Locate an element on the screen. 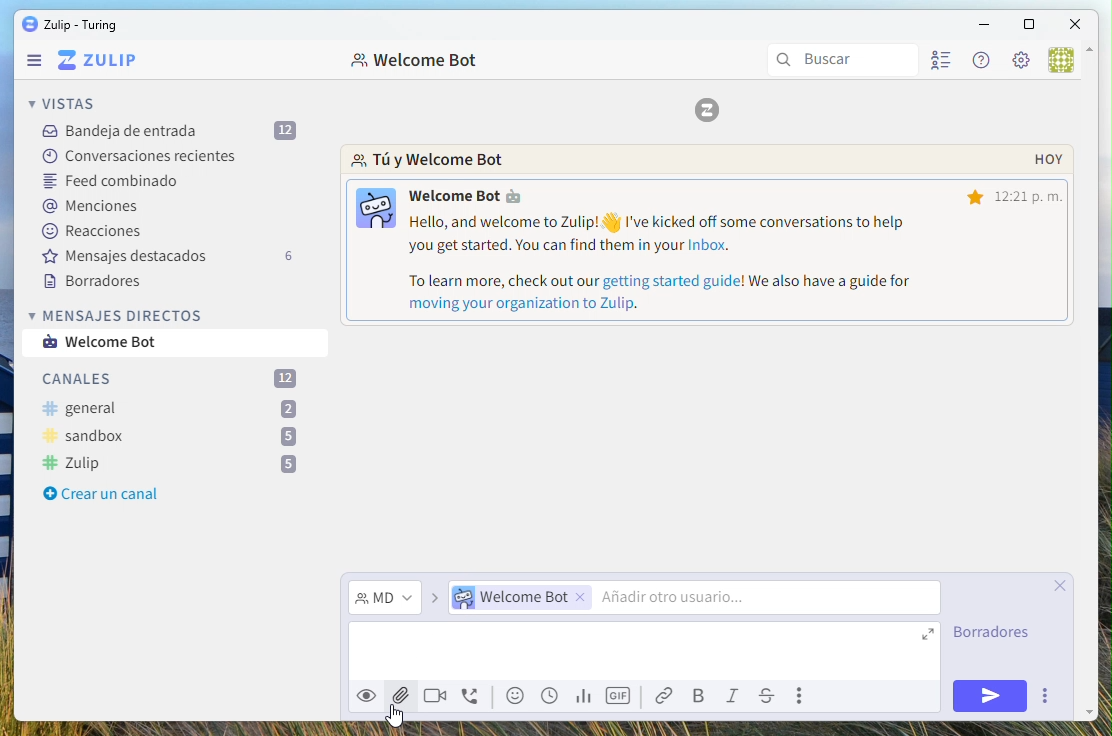 The image size is (1112, 736). close is located at coordinates (1065, 585).